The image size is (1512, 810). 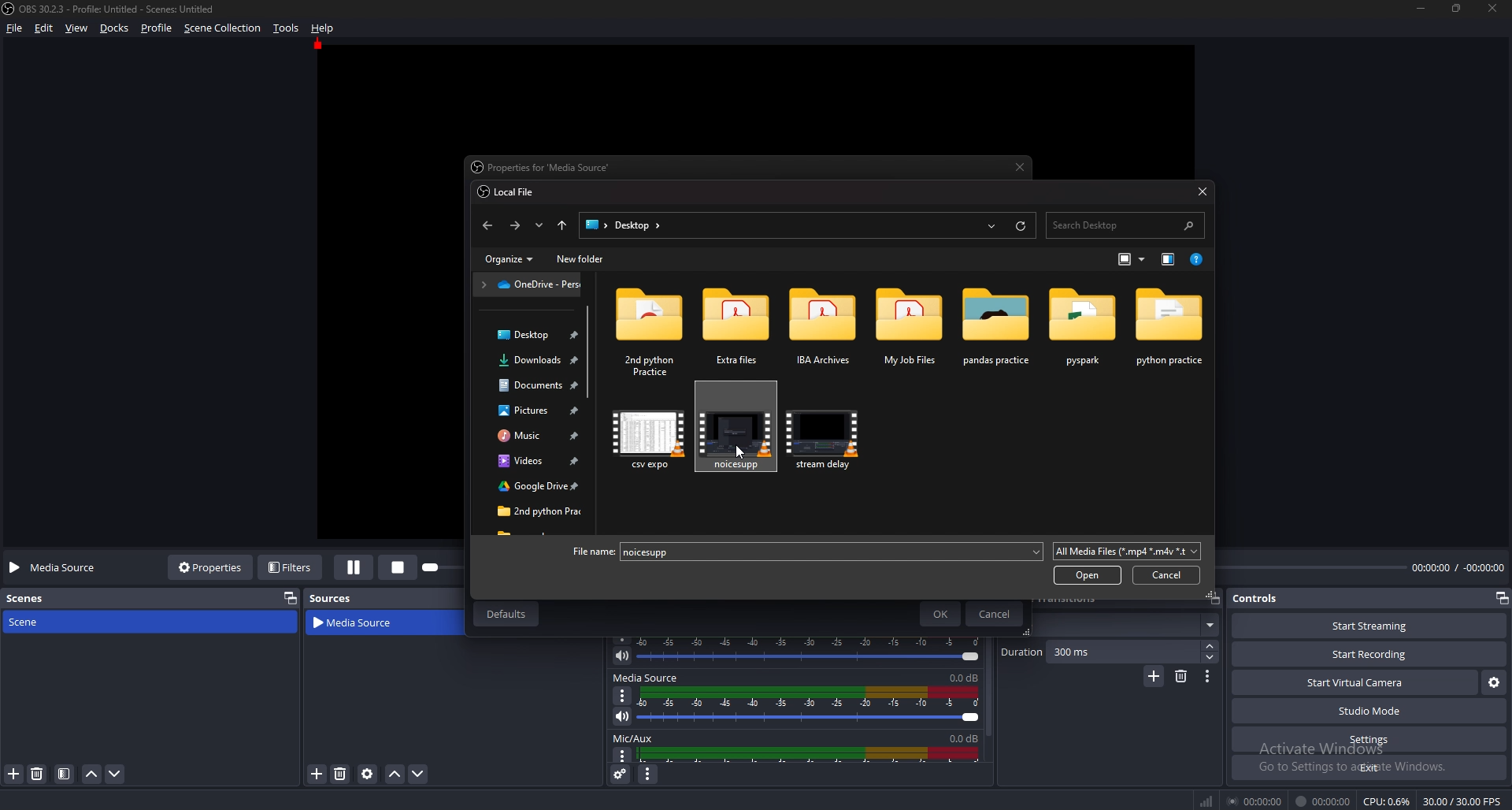 I want to click on folder, so click(x=529, y=385).